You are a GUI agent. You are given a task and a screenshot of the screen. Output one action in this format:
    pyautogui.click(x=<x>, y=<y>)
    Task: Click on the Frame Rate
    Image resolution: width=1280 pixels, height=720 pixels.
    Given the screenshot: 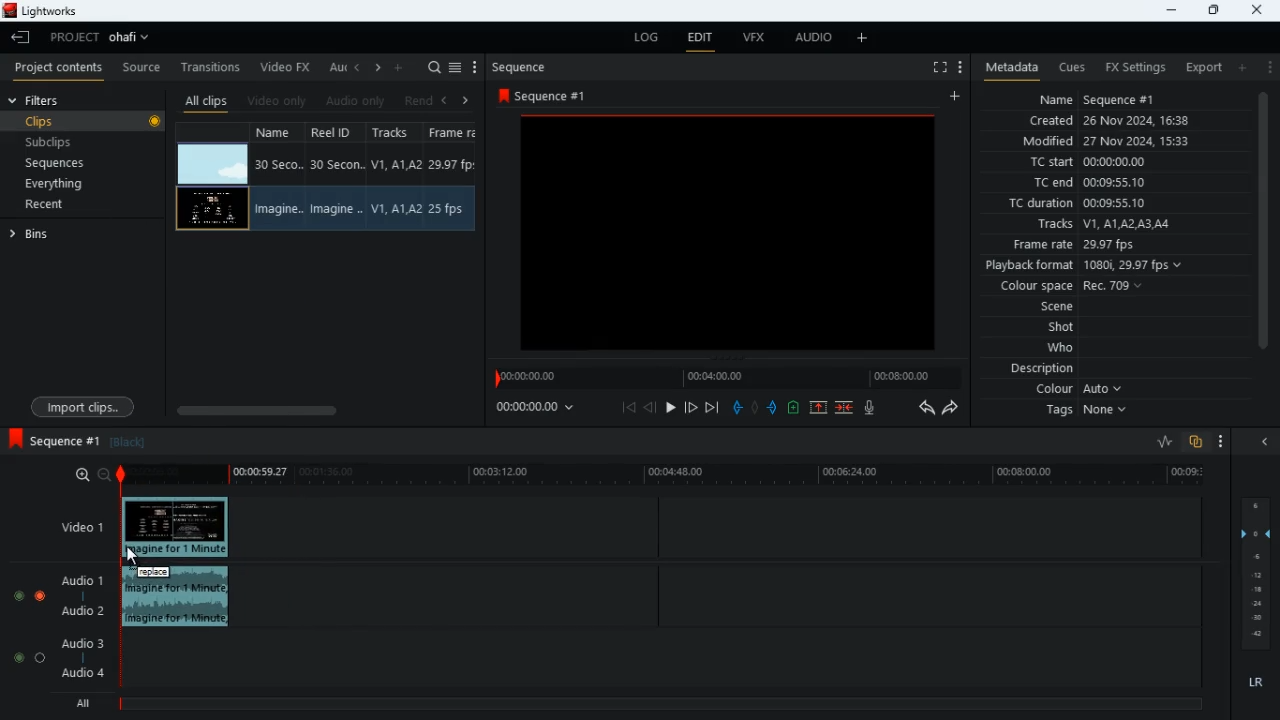 What is the action you would take?
    pyautogui.click(x=450, y=209)
    